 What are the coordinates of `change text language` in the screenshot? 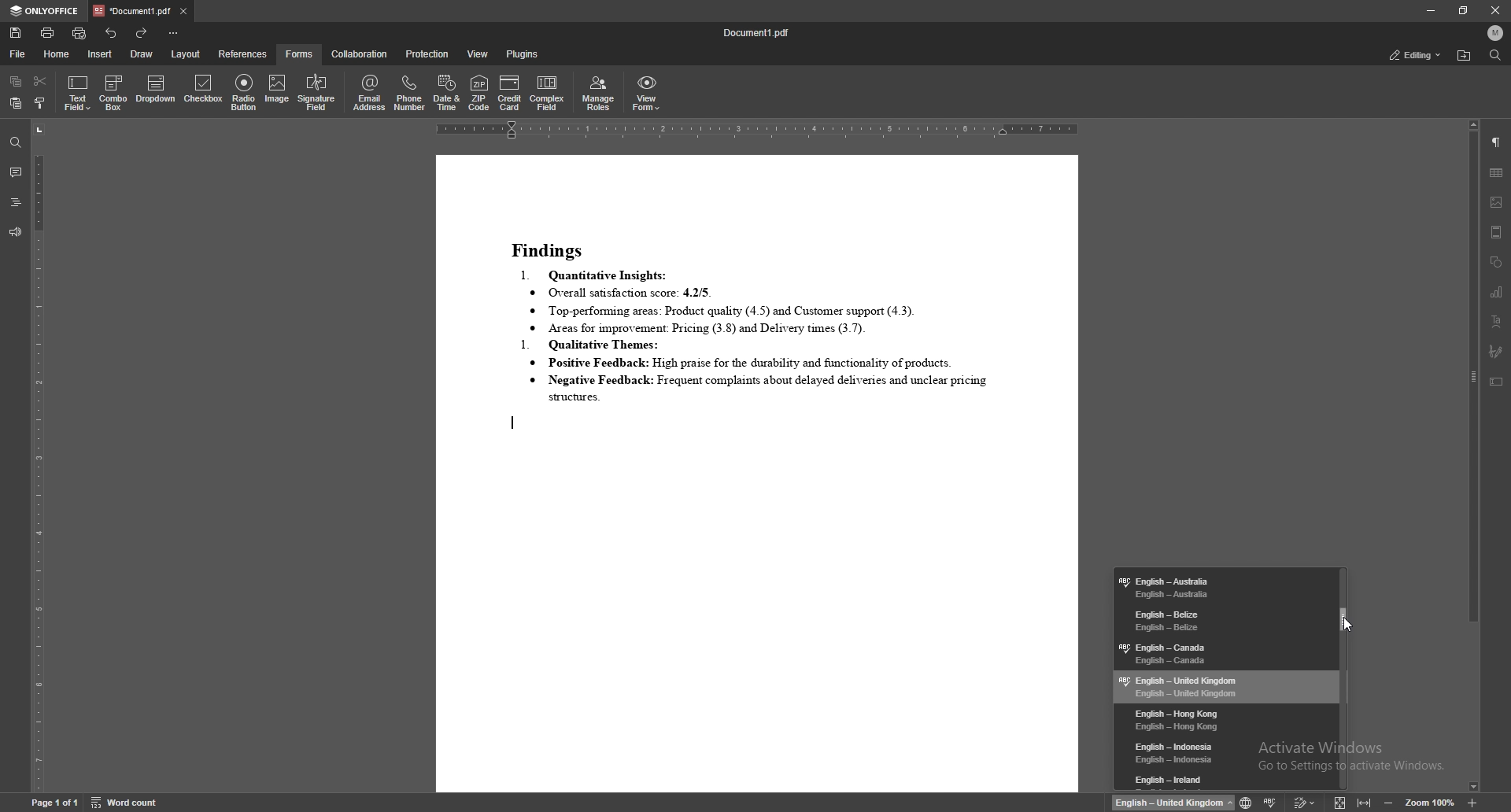 It's located at (1243, 800).